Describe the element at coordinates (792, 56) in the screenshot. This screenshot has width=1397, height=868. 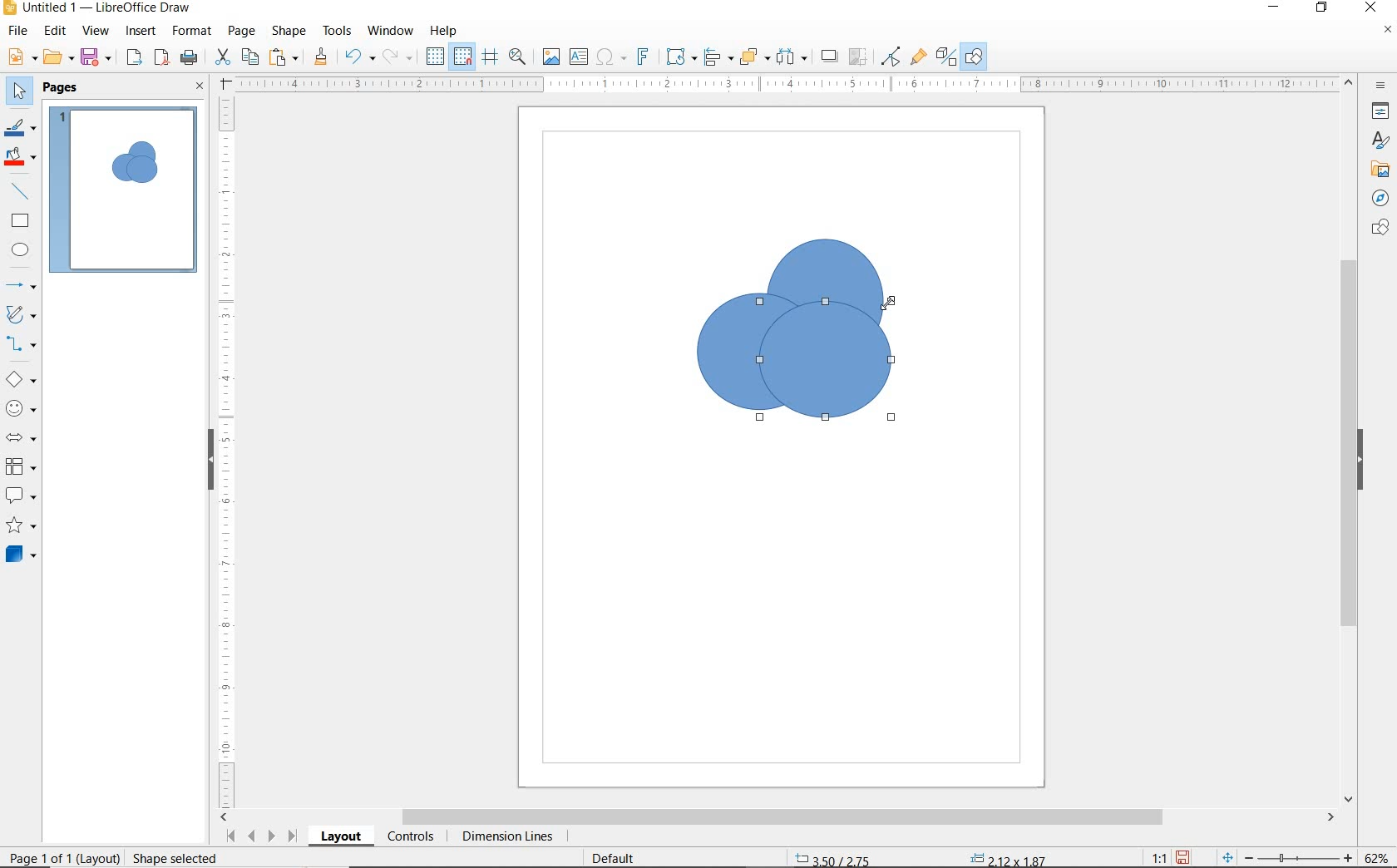
I see `SELECT AT LEAST 3 OBJECTS TO DISTRIBUTE` at that location.